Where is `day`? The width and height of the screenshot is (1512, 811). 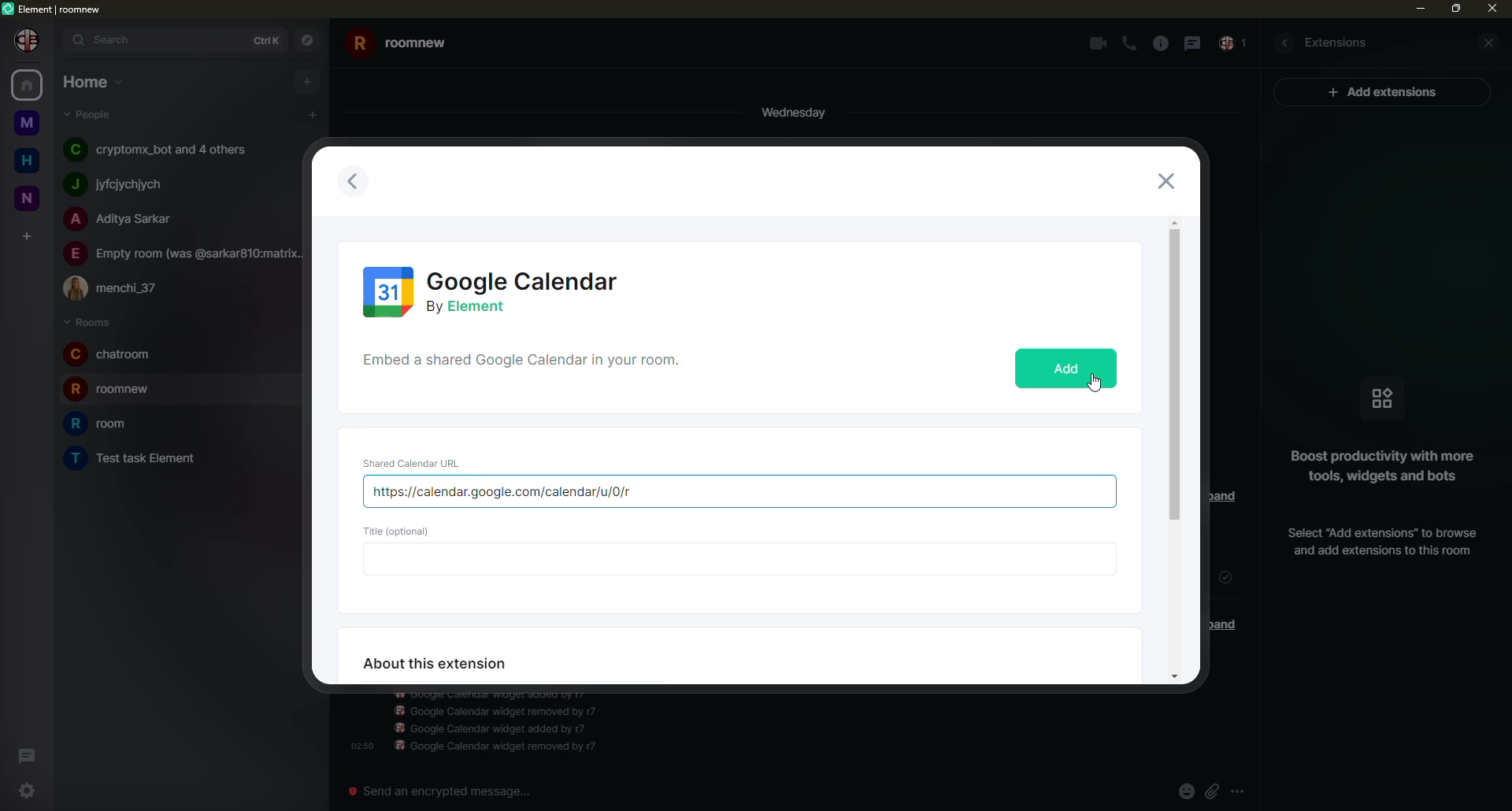 day is located at coordinates (787, 111).